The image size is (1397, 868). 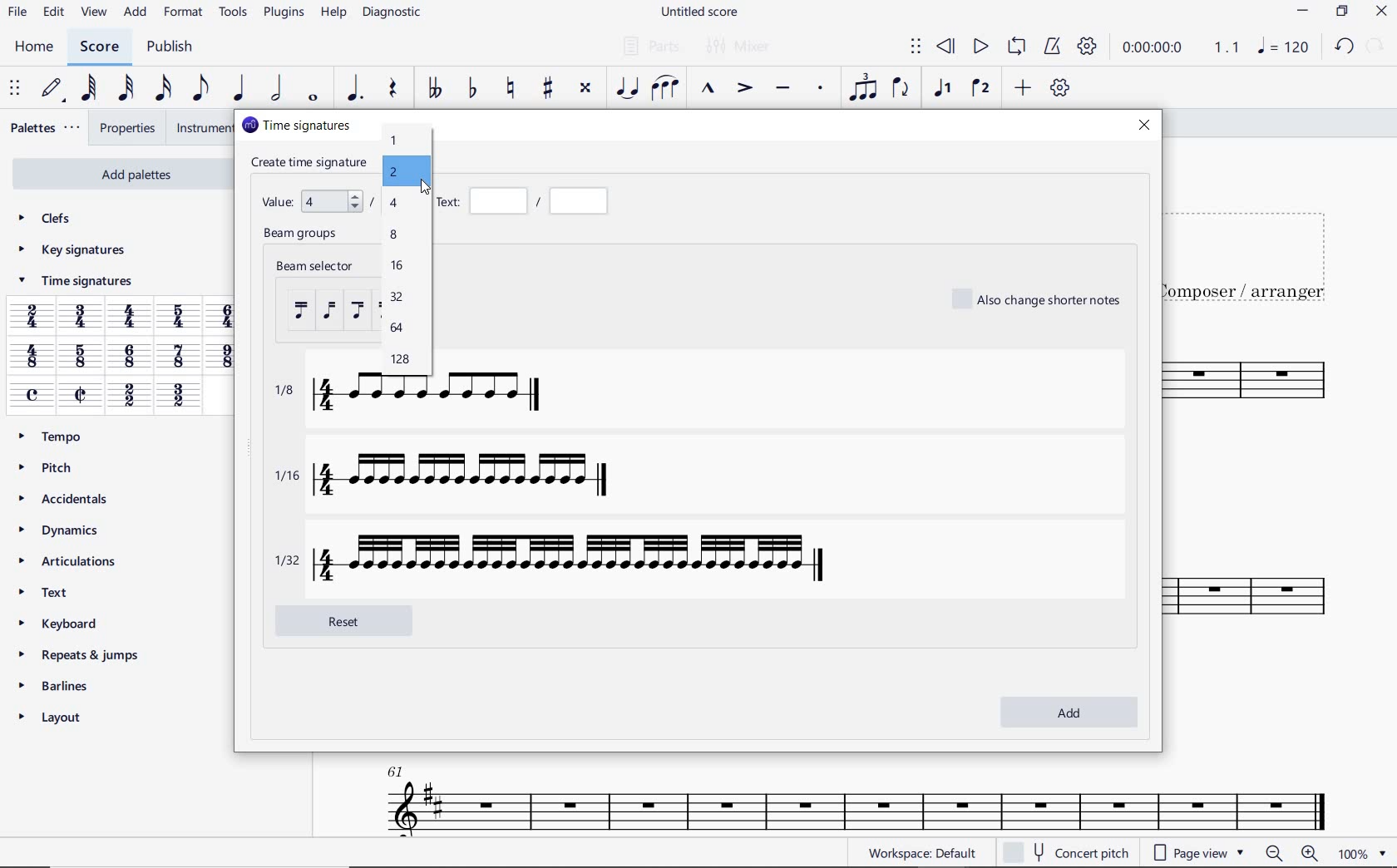 I want to click on 64TH NOTE, so click(x=88, y=88).